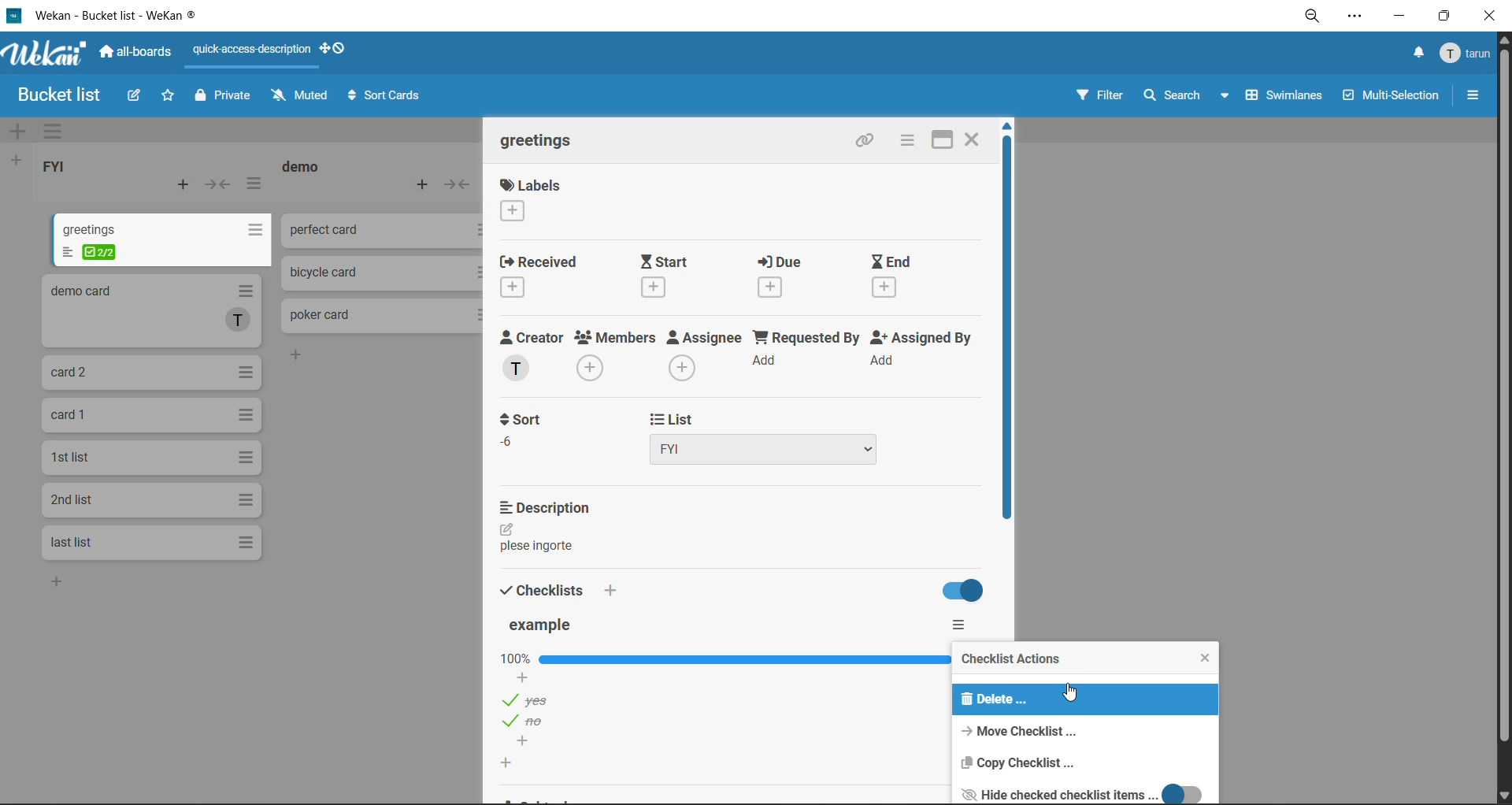 The width and height of the screenshot is (1512, 805). Describe the element at coordinates (1492, 14) in the screenshot. I see `close` at that location.